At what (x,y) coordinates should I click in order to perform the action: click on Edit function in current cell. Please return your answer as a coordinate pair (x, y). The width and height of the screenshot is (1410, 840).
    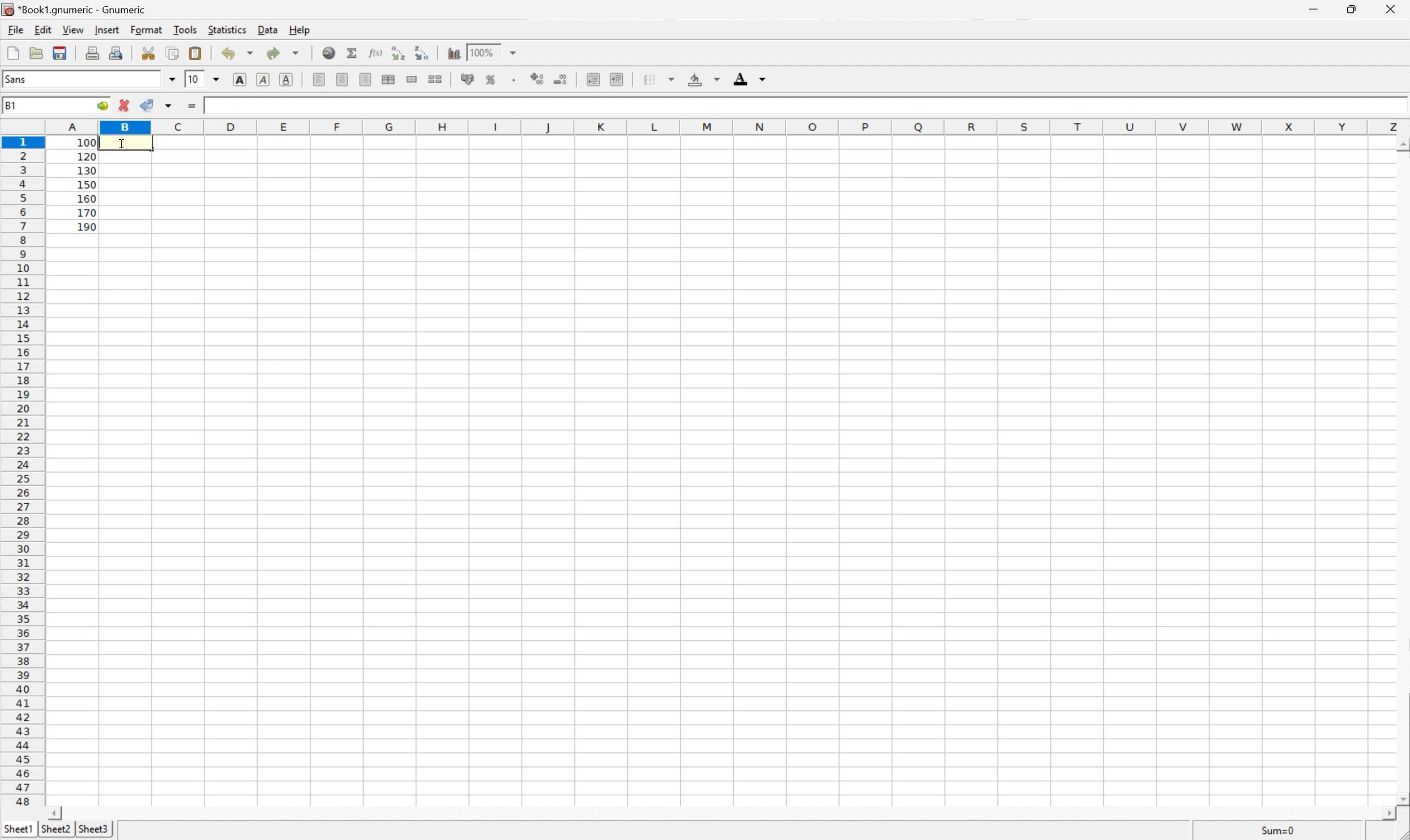
    Looking at the image, I should click on (375, 53).